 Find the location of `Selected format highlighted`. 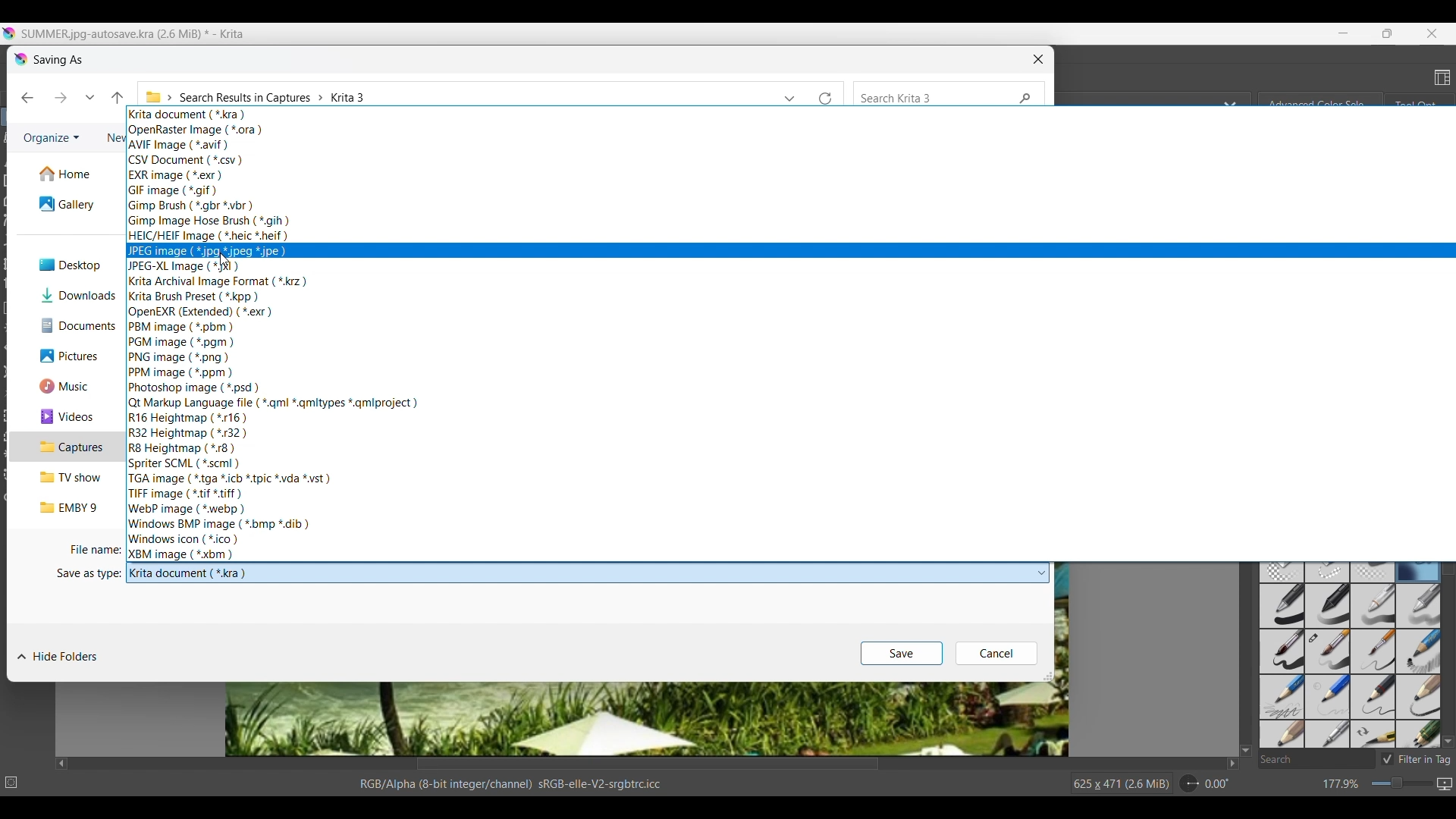

Selected format highlighted is located at coordinates (939, 251).